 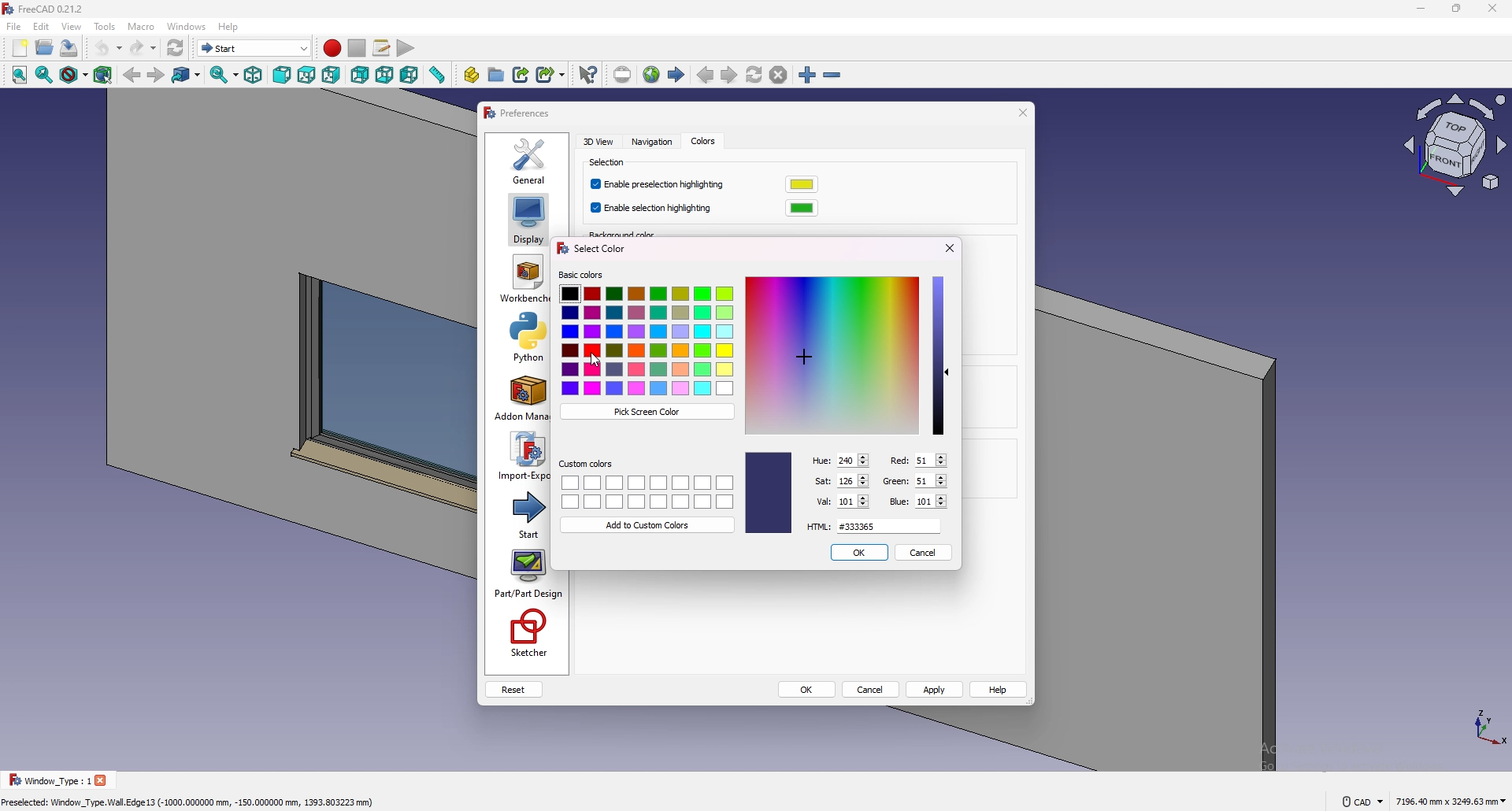 What do you see at coordinates (306, 76) in the screenshot?
I see `top` at bounding box center [306, 76].